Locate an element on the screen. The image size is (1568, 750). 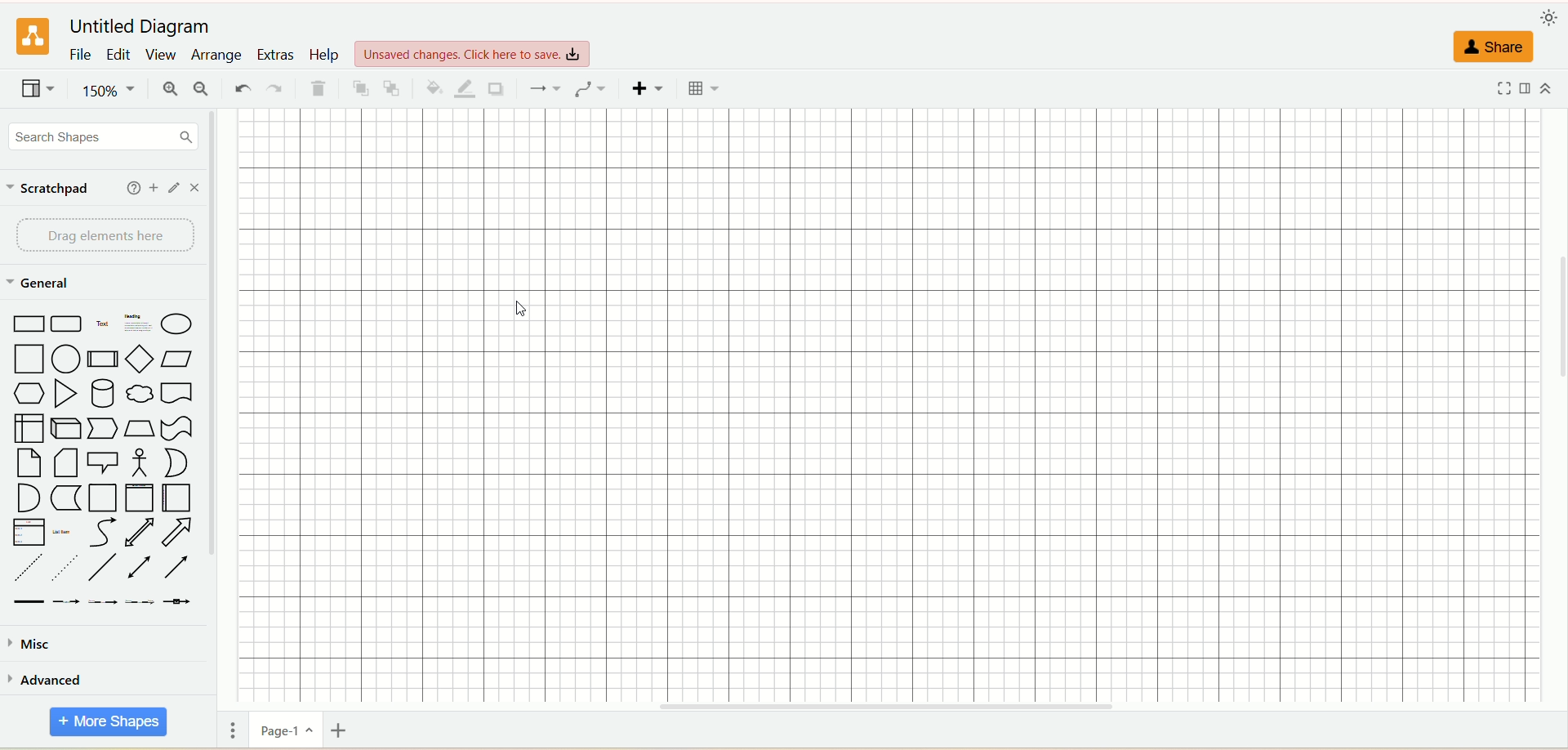
rounded rectangle is located at coordinates (69, 324).